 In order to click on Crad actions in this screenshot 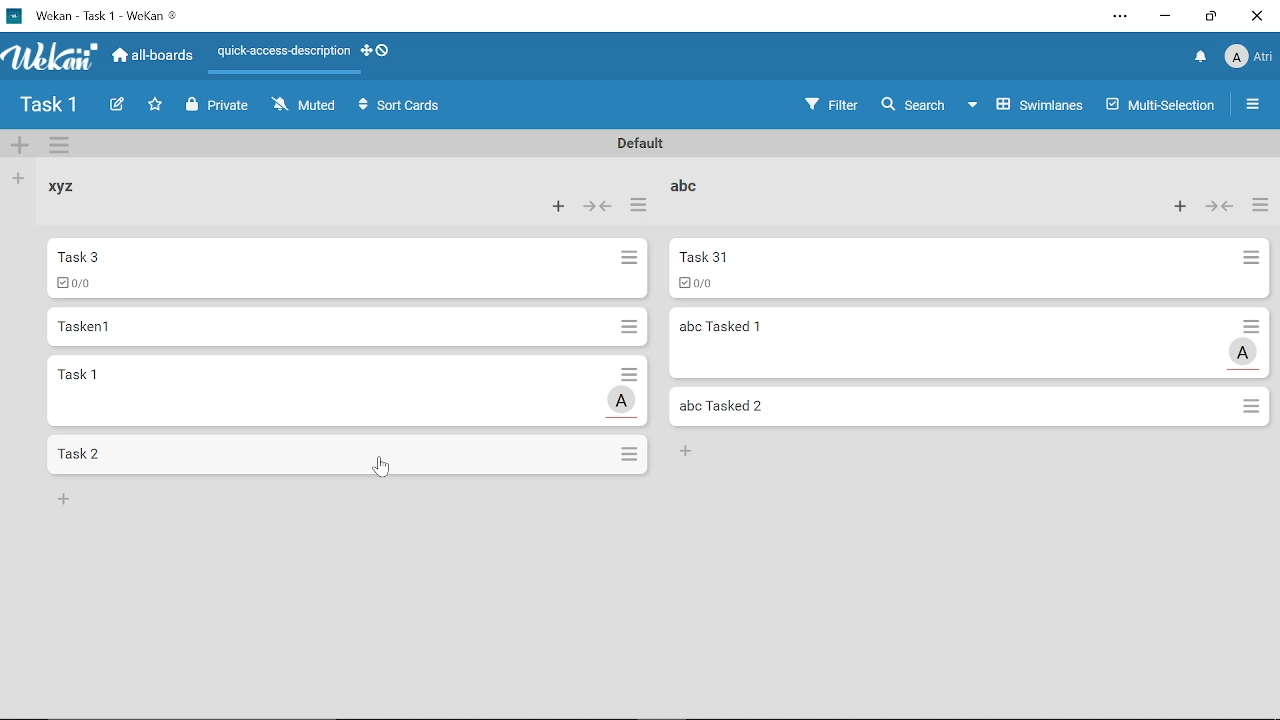, I will do `click(627, 326)`.